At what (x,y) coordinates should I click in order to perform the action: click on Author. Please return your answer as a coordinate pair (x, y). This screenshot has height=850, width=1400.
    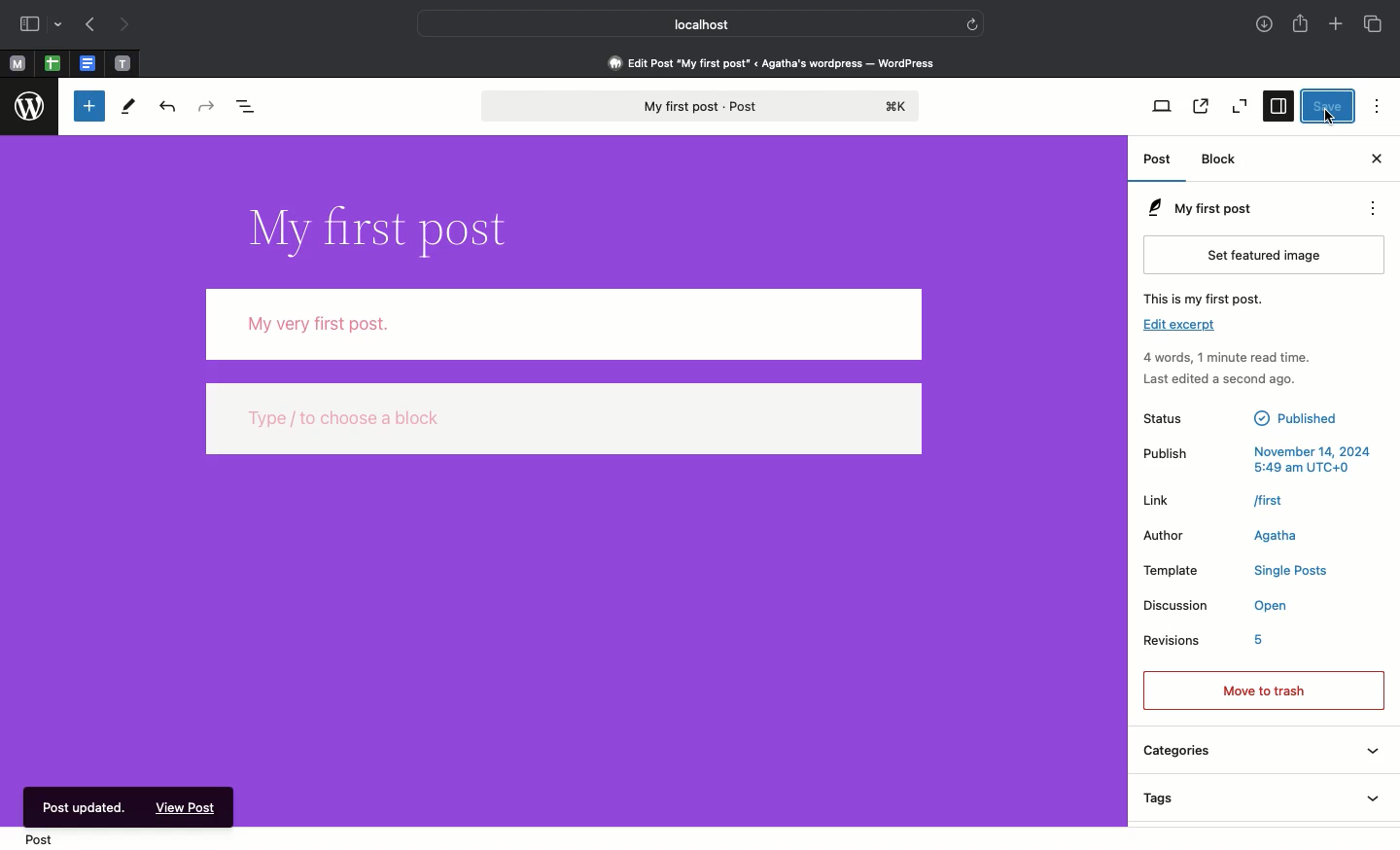
    Looking at the image, I should click on (1236, 537).